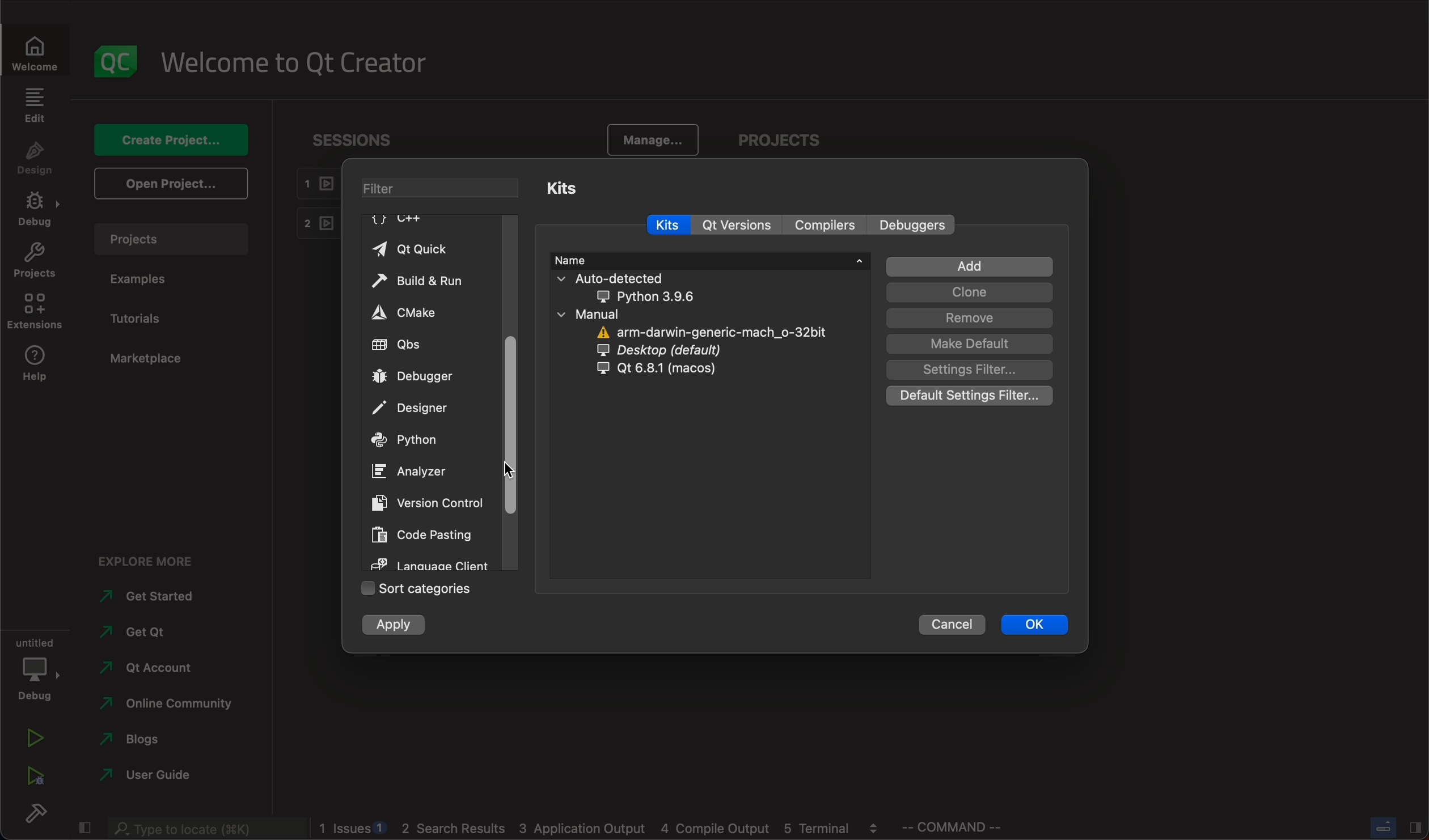 The height and width of the screenshot is (840, 1429). What do you see at coordinates (139, 320) in the screenshot?
I see `tutorials` at bounding box center [139, 320].